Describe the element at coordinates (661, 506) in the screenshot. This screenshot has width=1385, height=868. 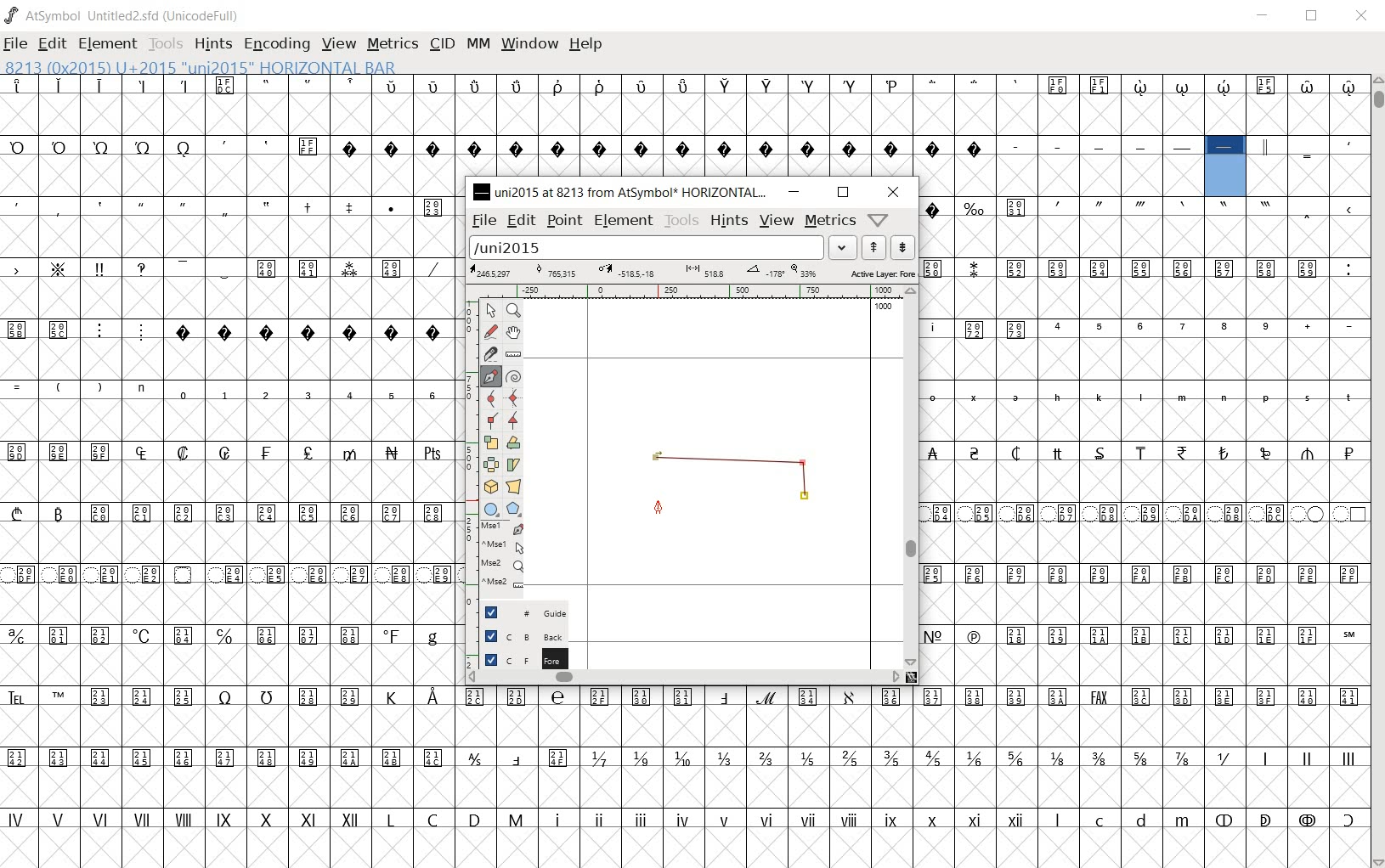
I see `Feltpen tool/cursor location` at that location.